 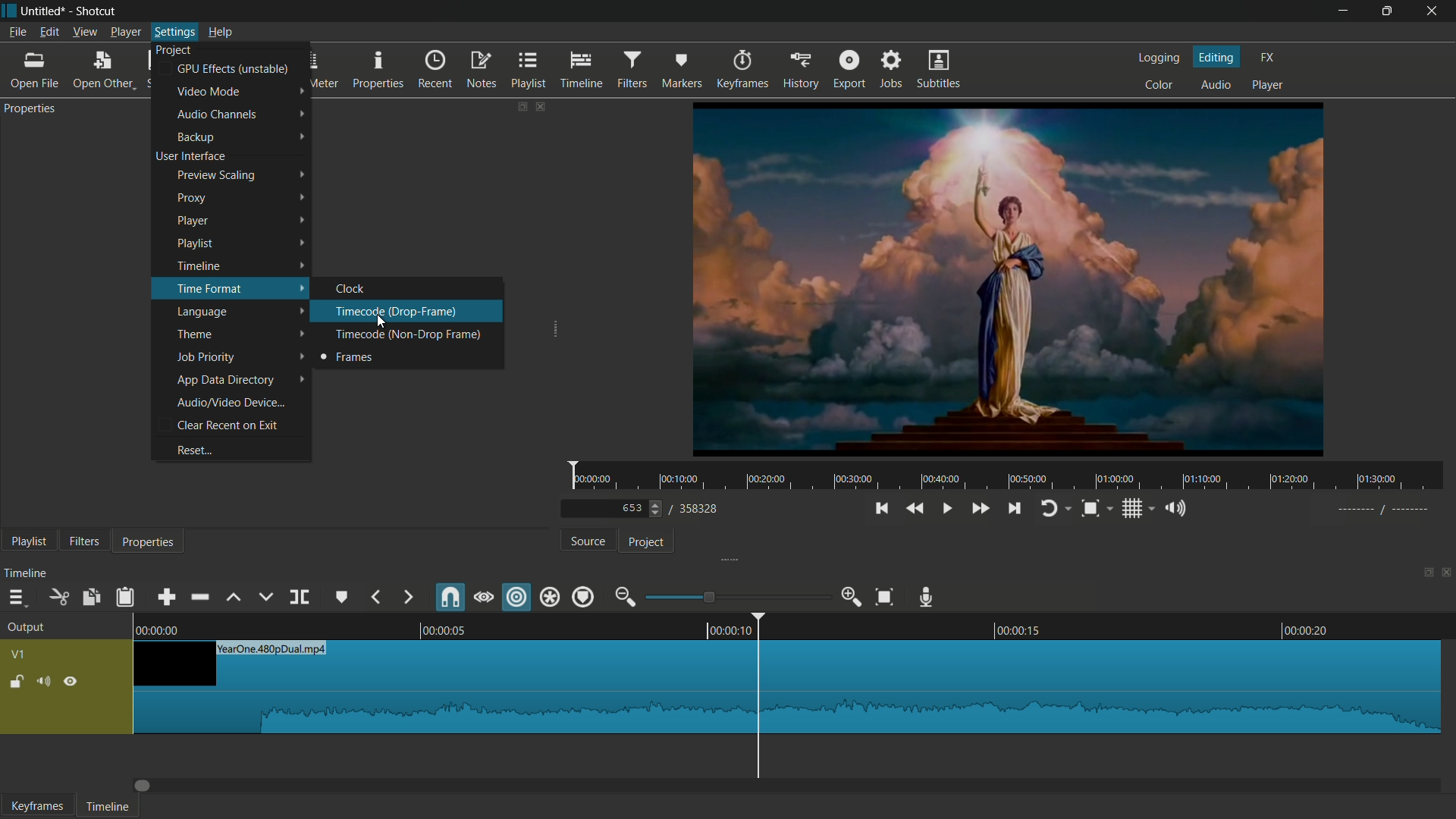 What do you see at coordinates (1393, 508) in the screenshot?
I see `-----//` at bounding box center [1393, 508].